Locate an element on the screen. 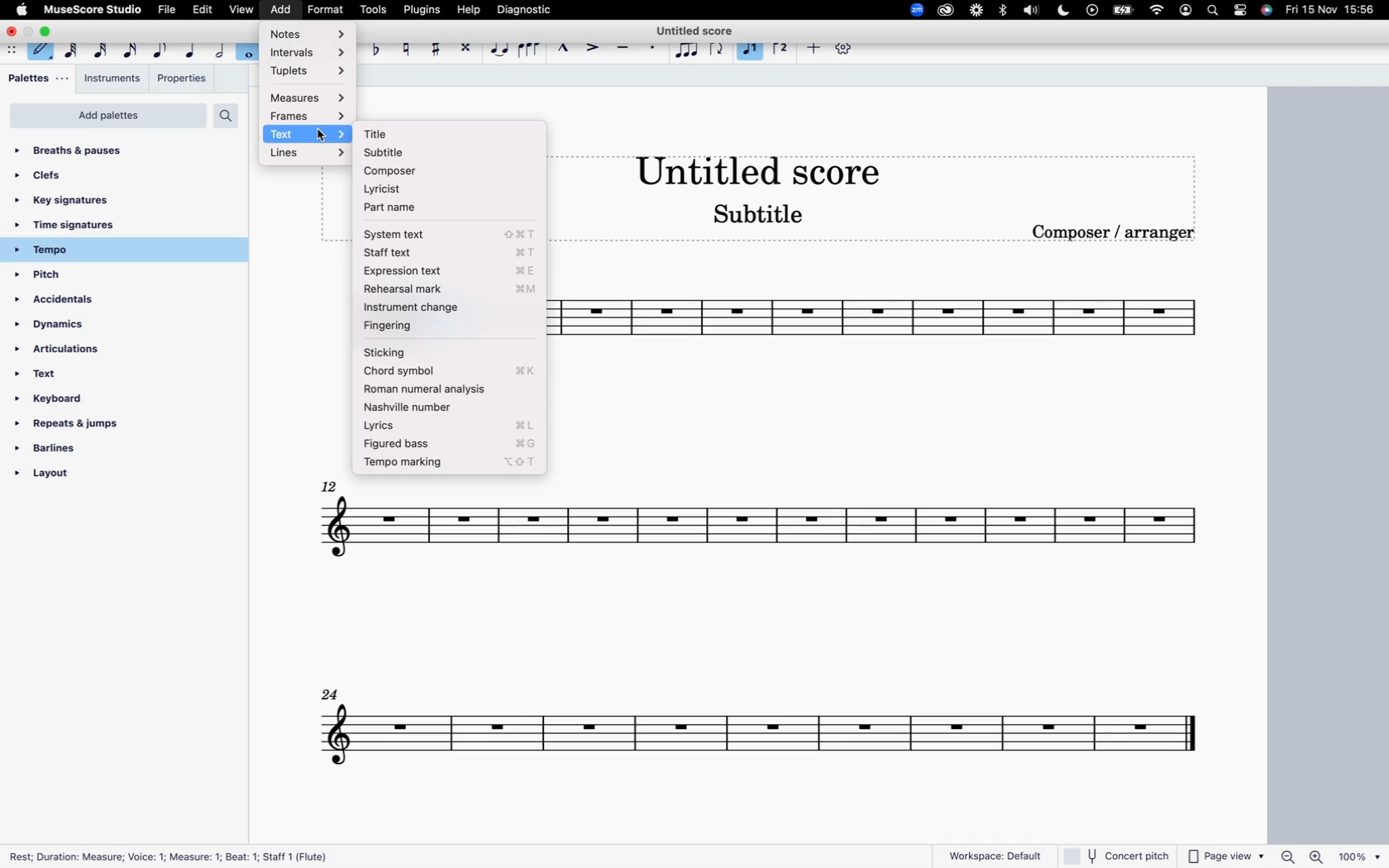 This screenshot has height=868, width=1389. help is located at coordinates (466, 9).